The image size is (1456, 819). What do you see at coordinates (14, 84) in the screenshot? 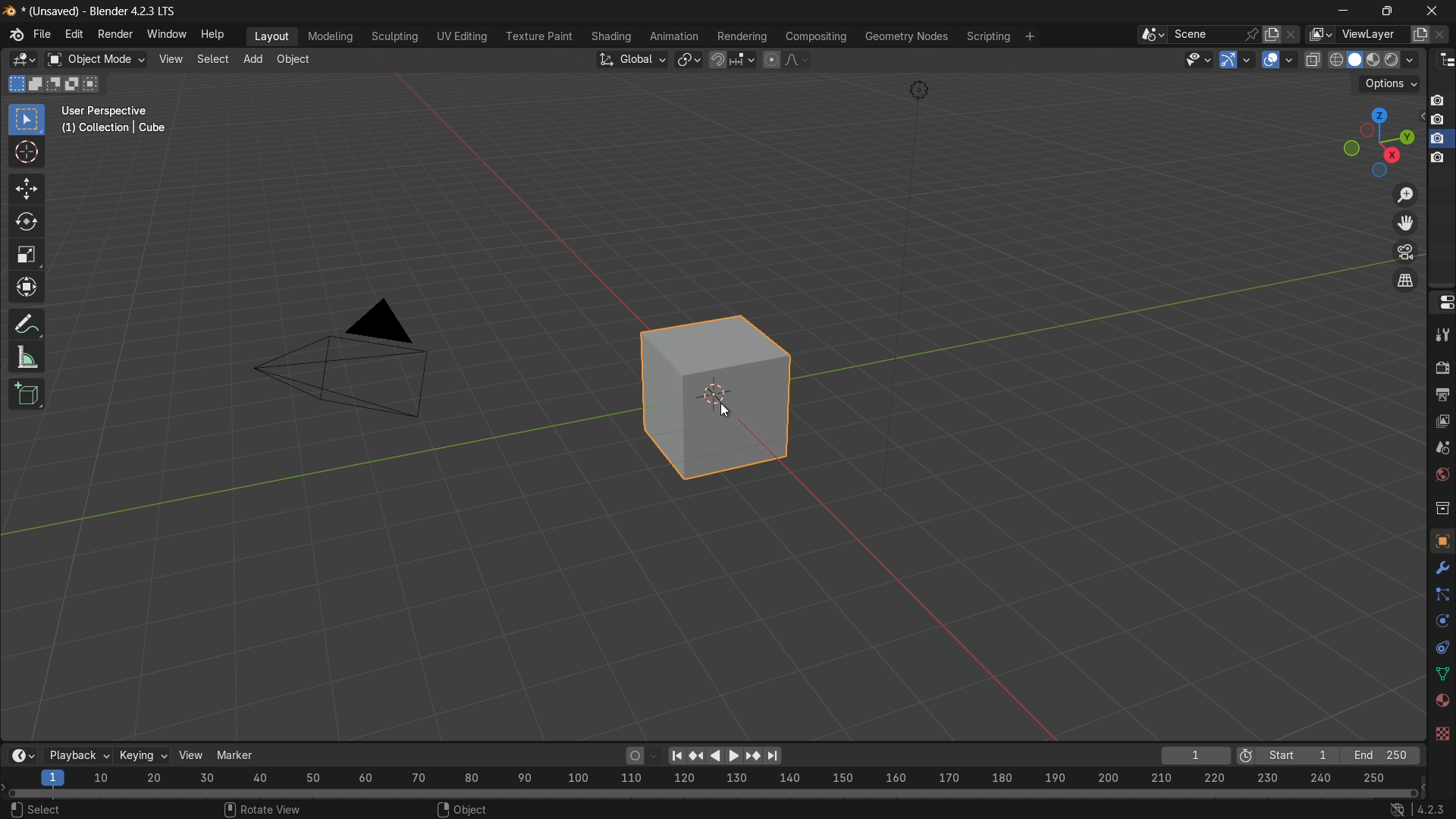
I see `set new selection` at bounding box center [14, 84].